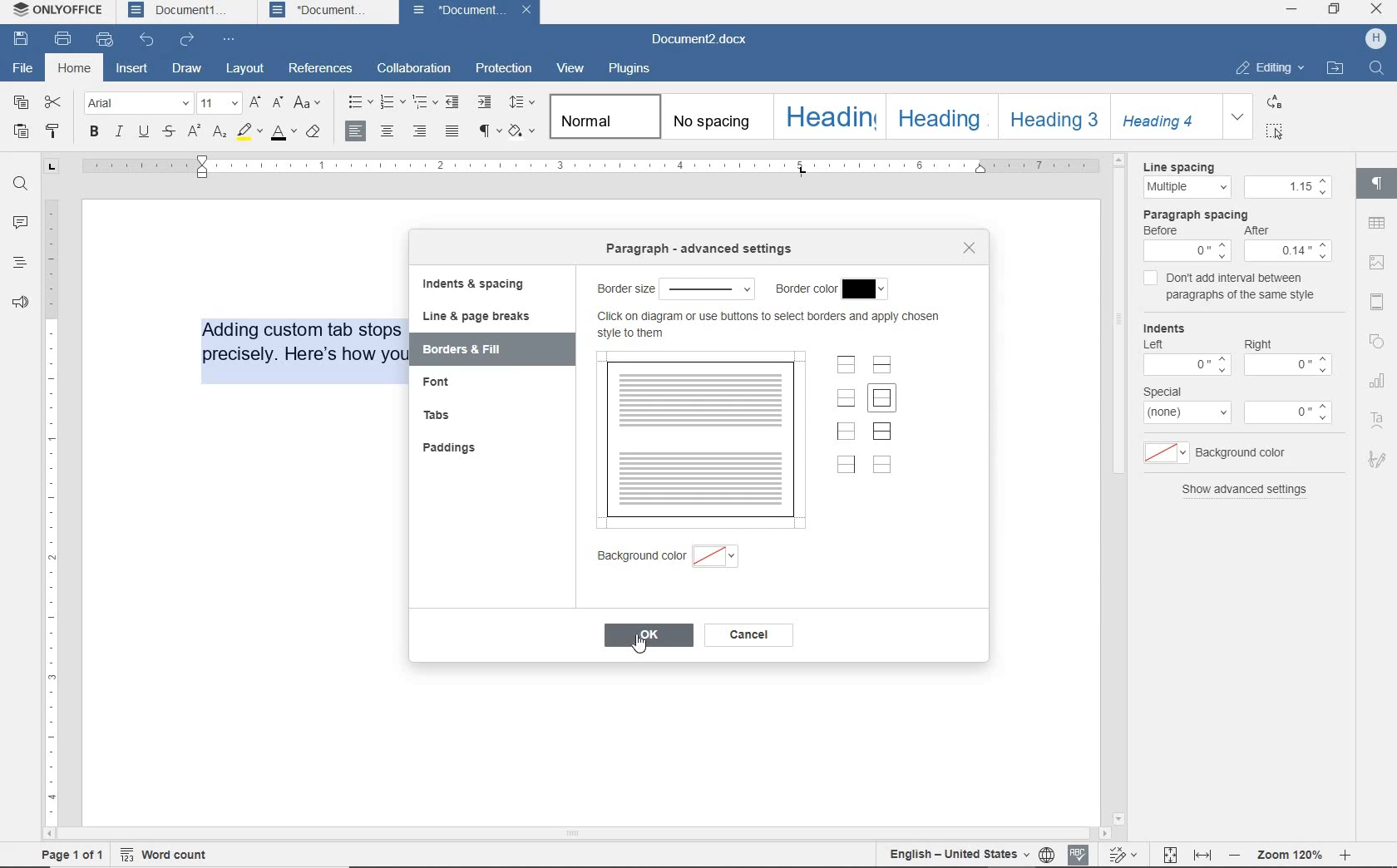 The image size is (1397, 868). What do you see at coordinates (188, 42) in the screenshot?
I see `redo` at bounding box center [188, 42].